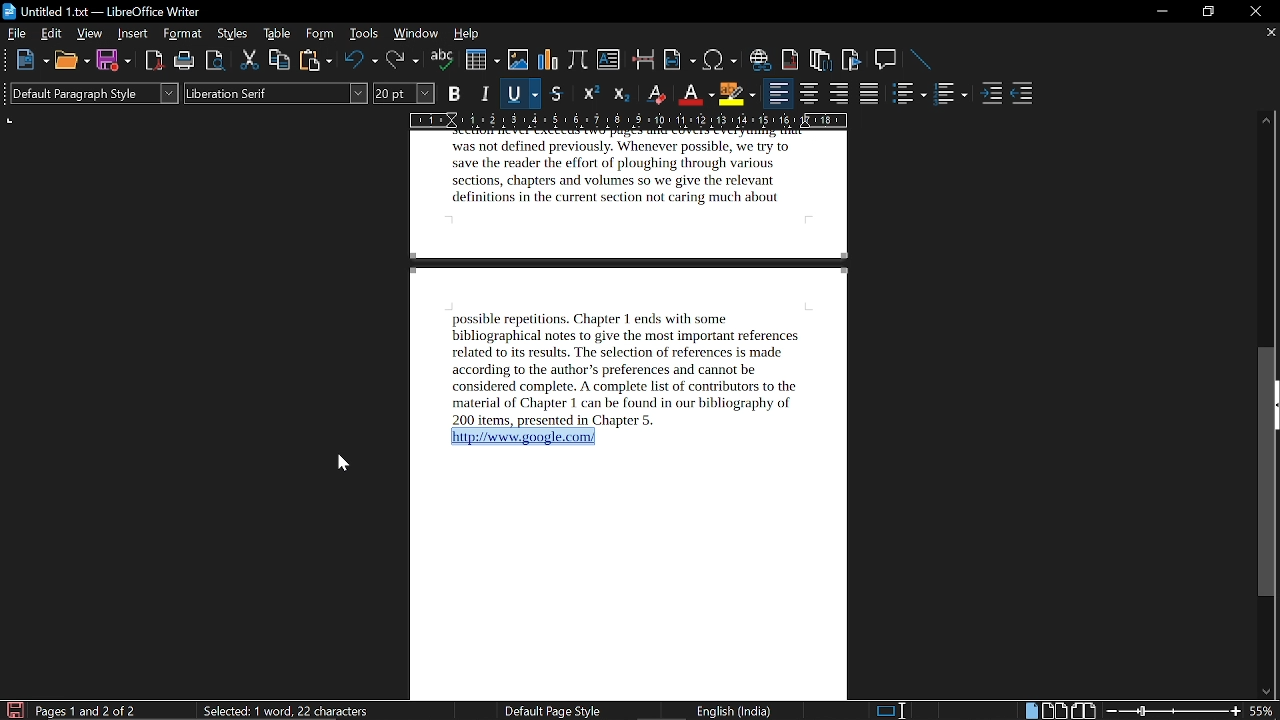 Image resolution: width=1280 pixels, height=720 pixels. I want to click on new, so click(31, 61).